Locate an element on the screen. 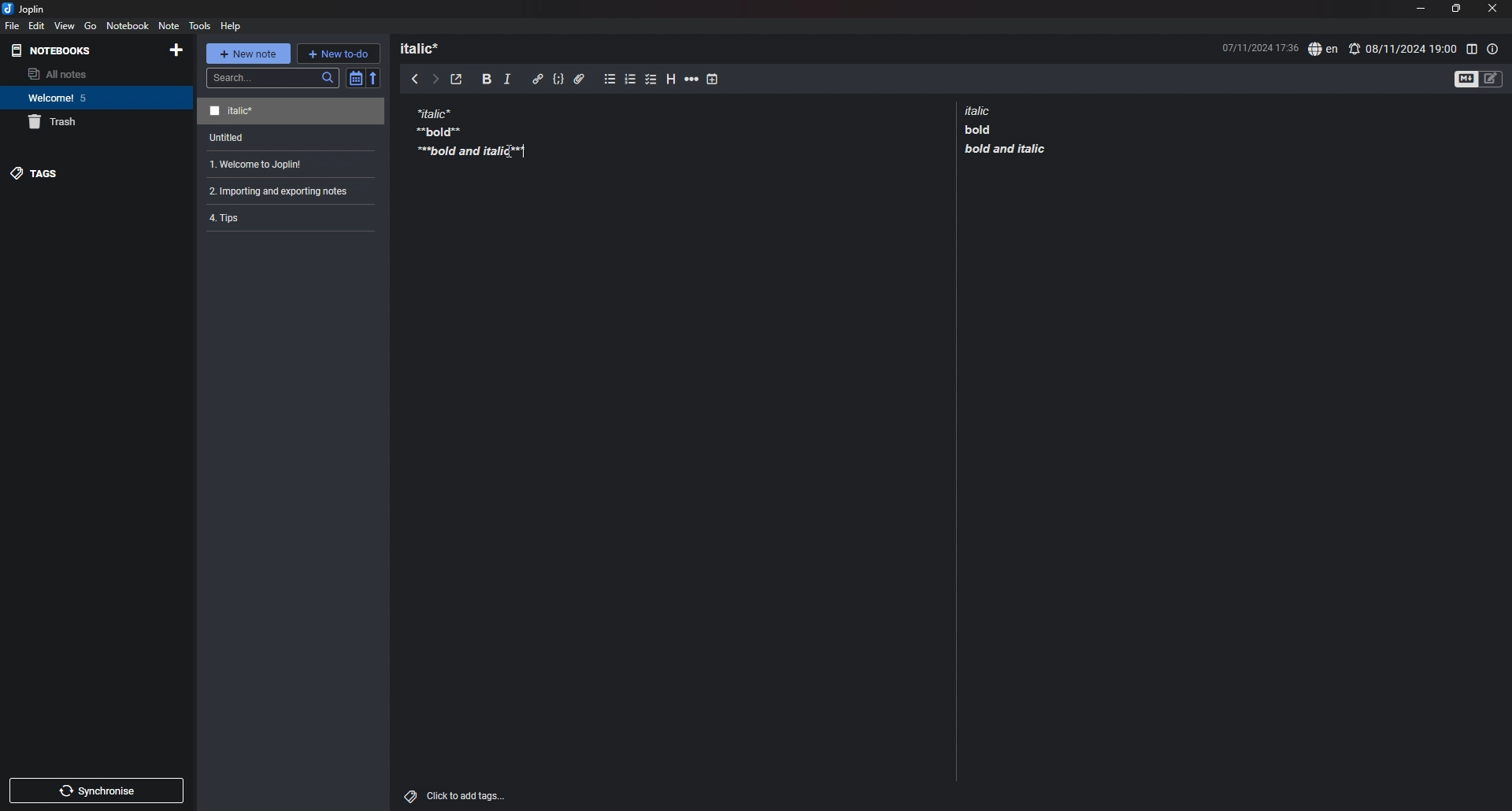 The width and height of the screenshot is (1512, 811). close is located at coordinates (1494, 8).